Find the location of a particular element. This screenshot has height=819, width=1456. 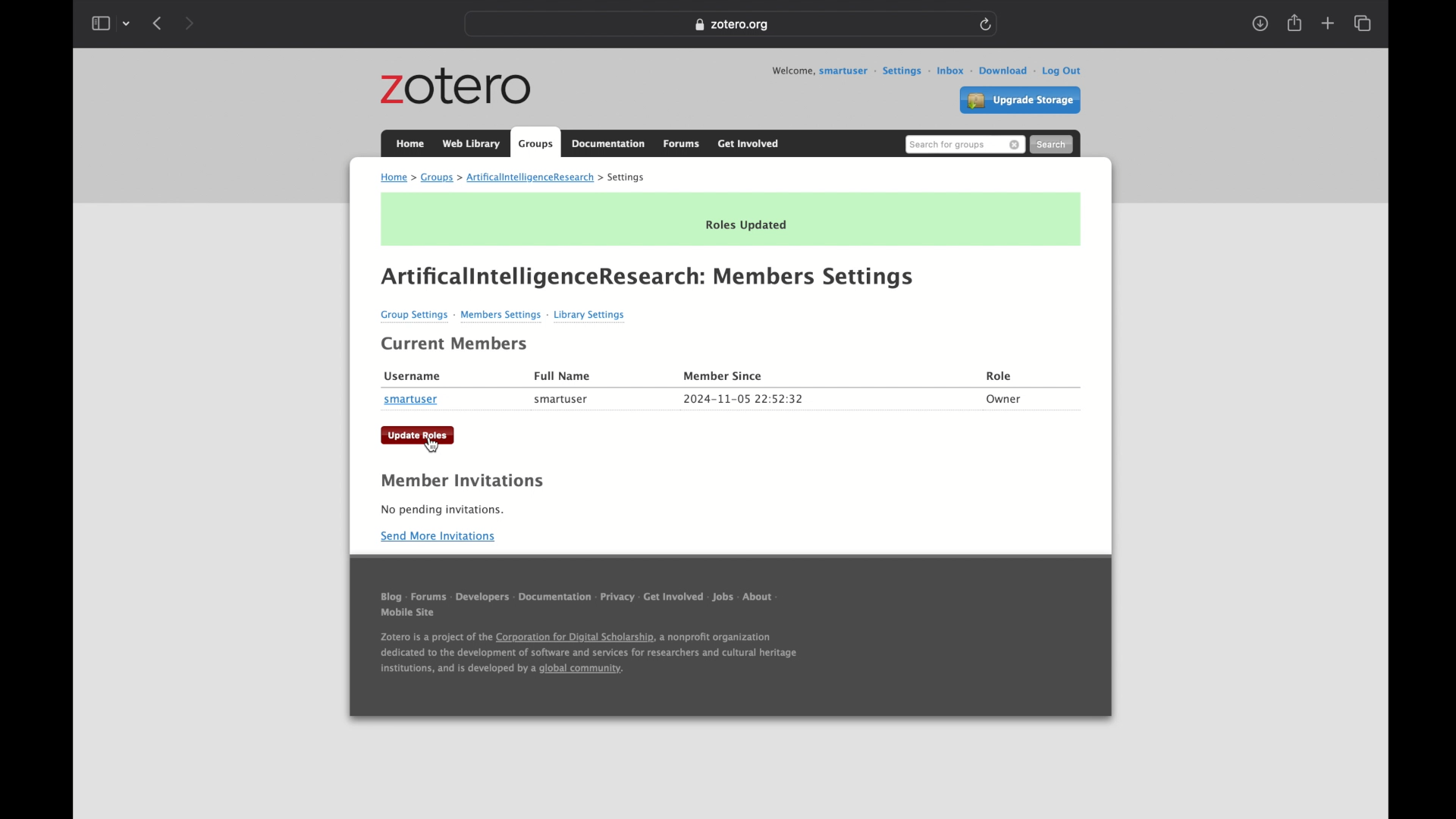

groups is located at coordinates (438, 178).